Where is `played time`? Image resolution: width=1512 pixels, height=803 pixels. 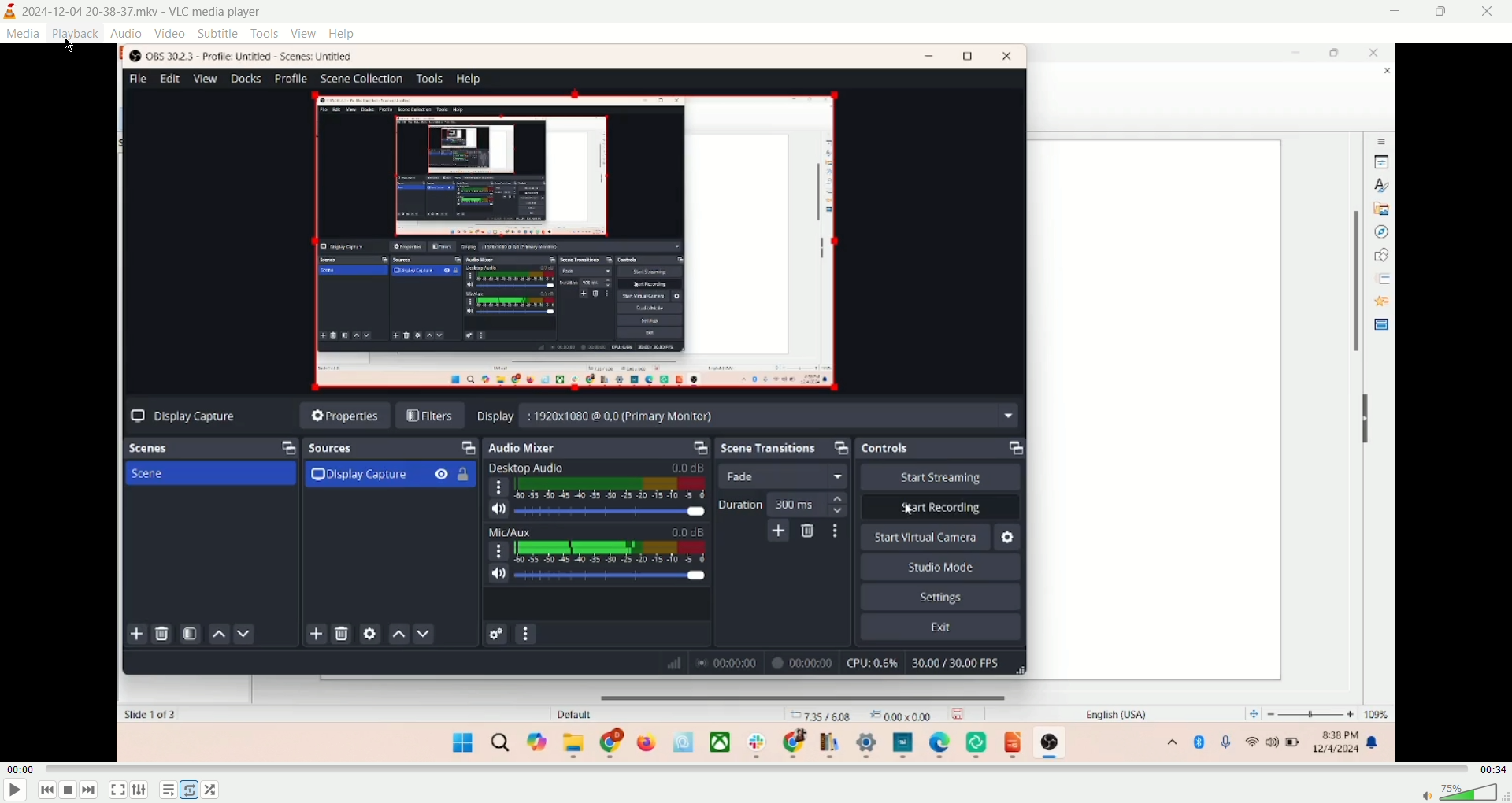 played time is located at coordinates (20, 772).